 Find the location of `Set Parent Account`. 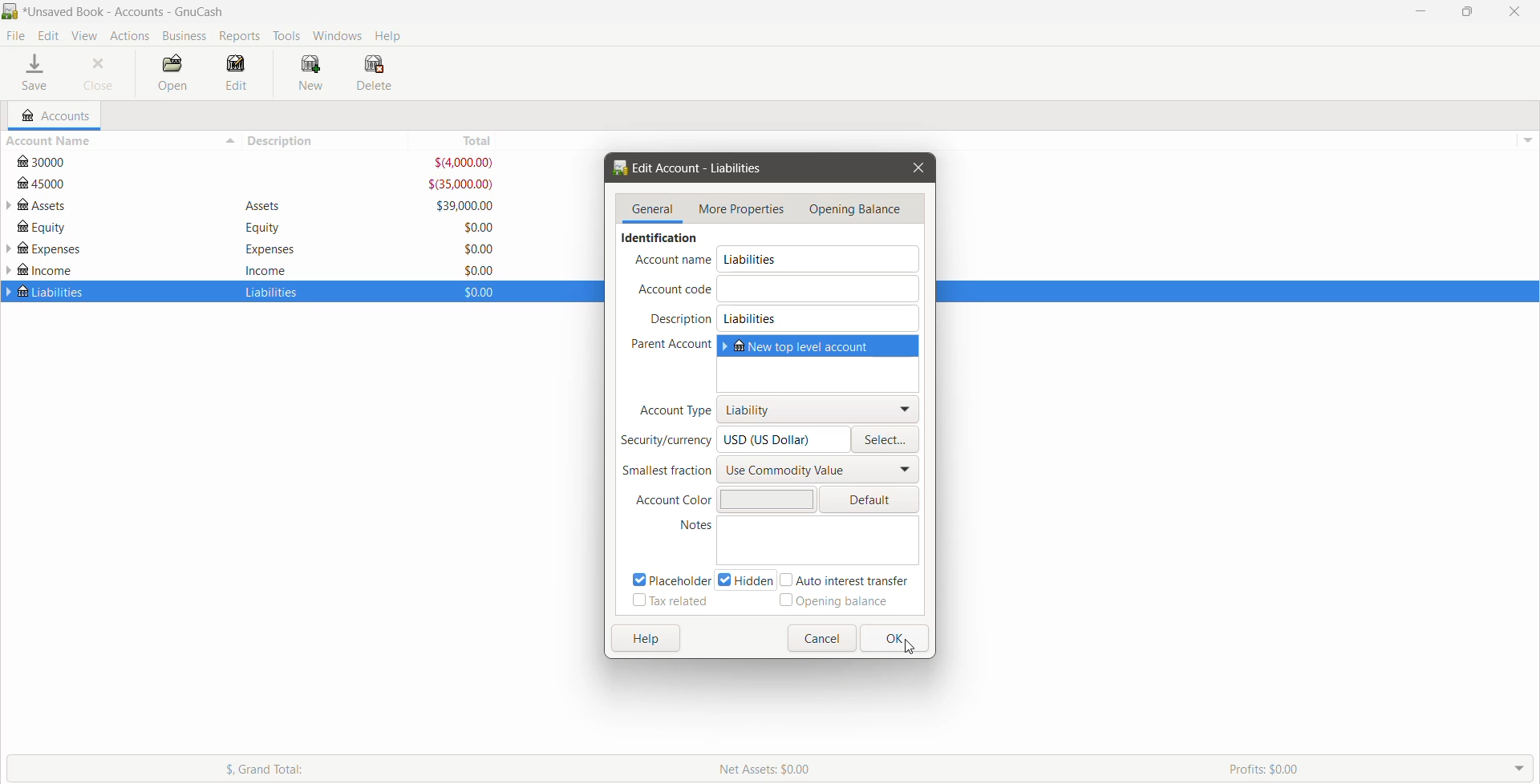

Set Parent Account is located at coordinates (820, 363).